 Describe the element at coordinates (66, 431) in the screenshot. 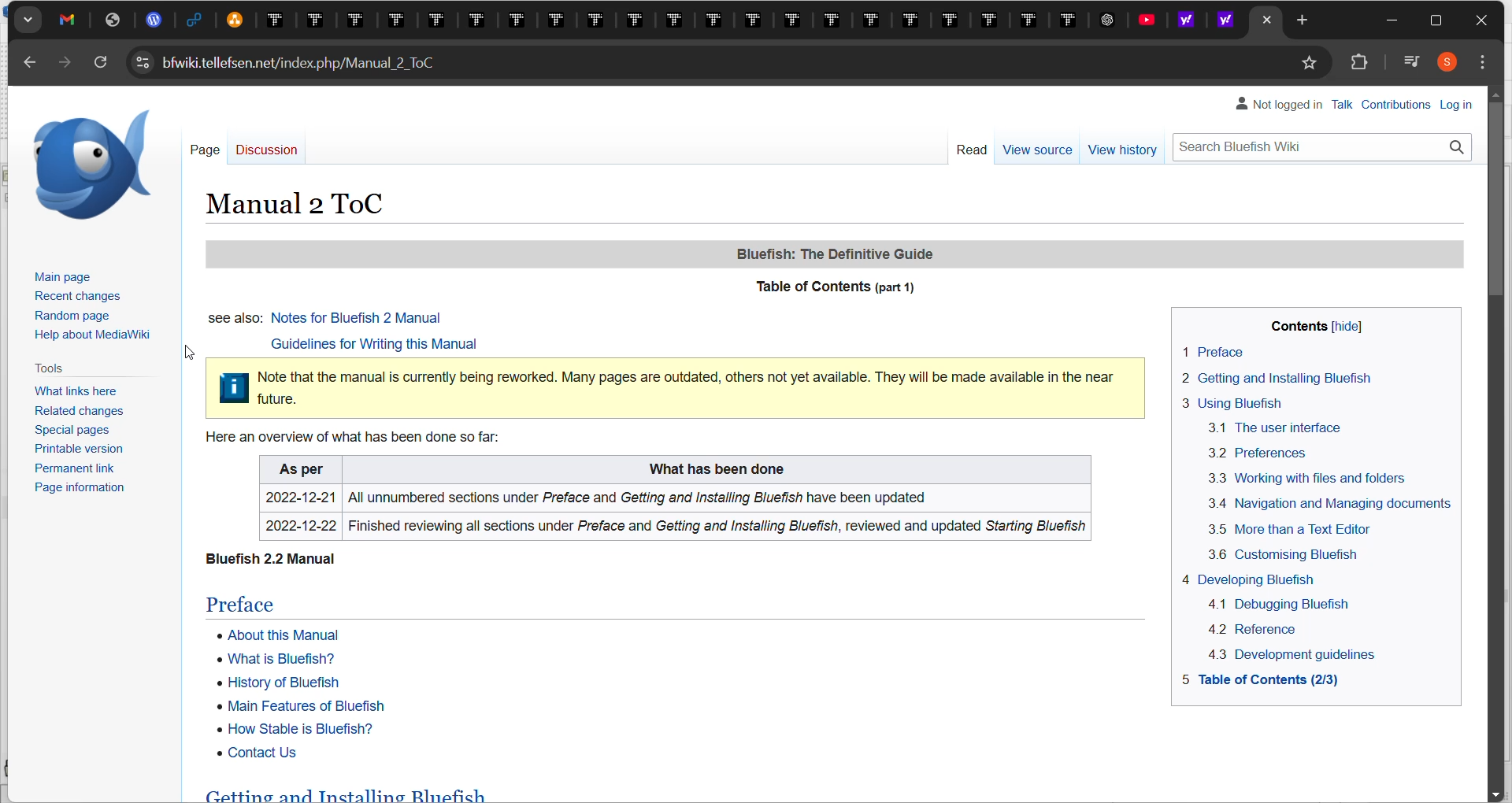

I see `Special pages` at that location.